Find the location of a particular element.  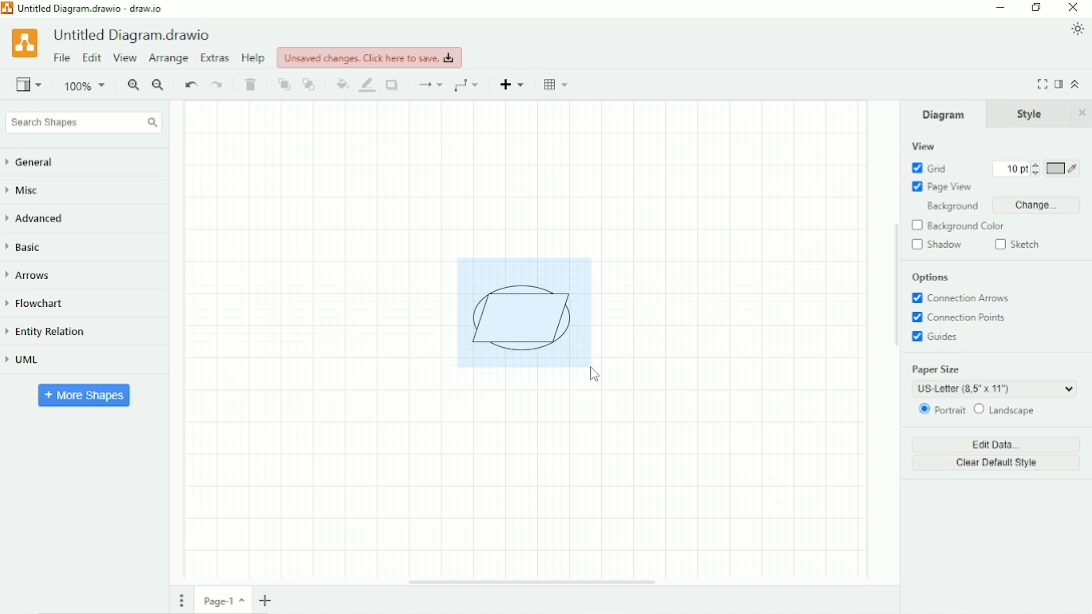

Restore down is located at coordinates (1036, 8).